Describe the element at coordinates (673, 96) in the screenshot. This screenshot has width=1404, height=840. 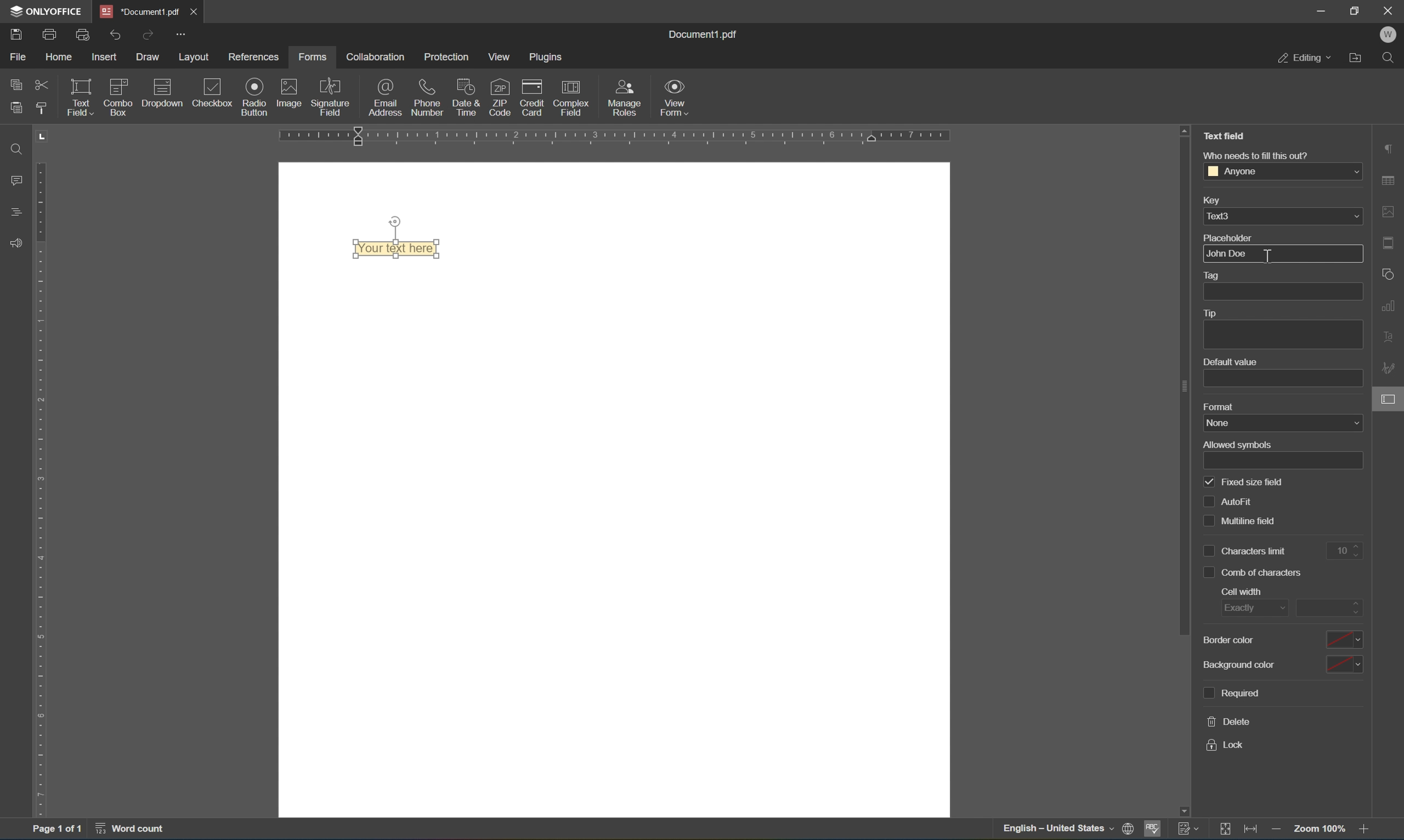
I see `view form` at that location.